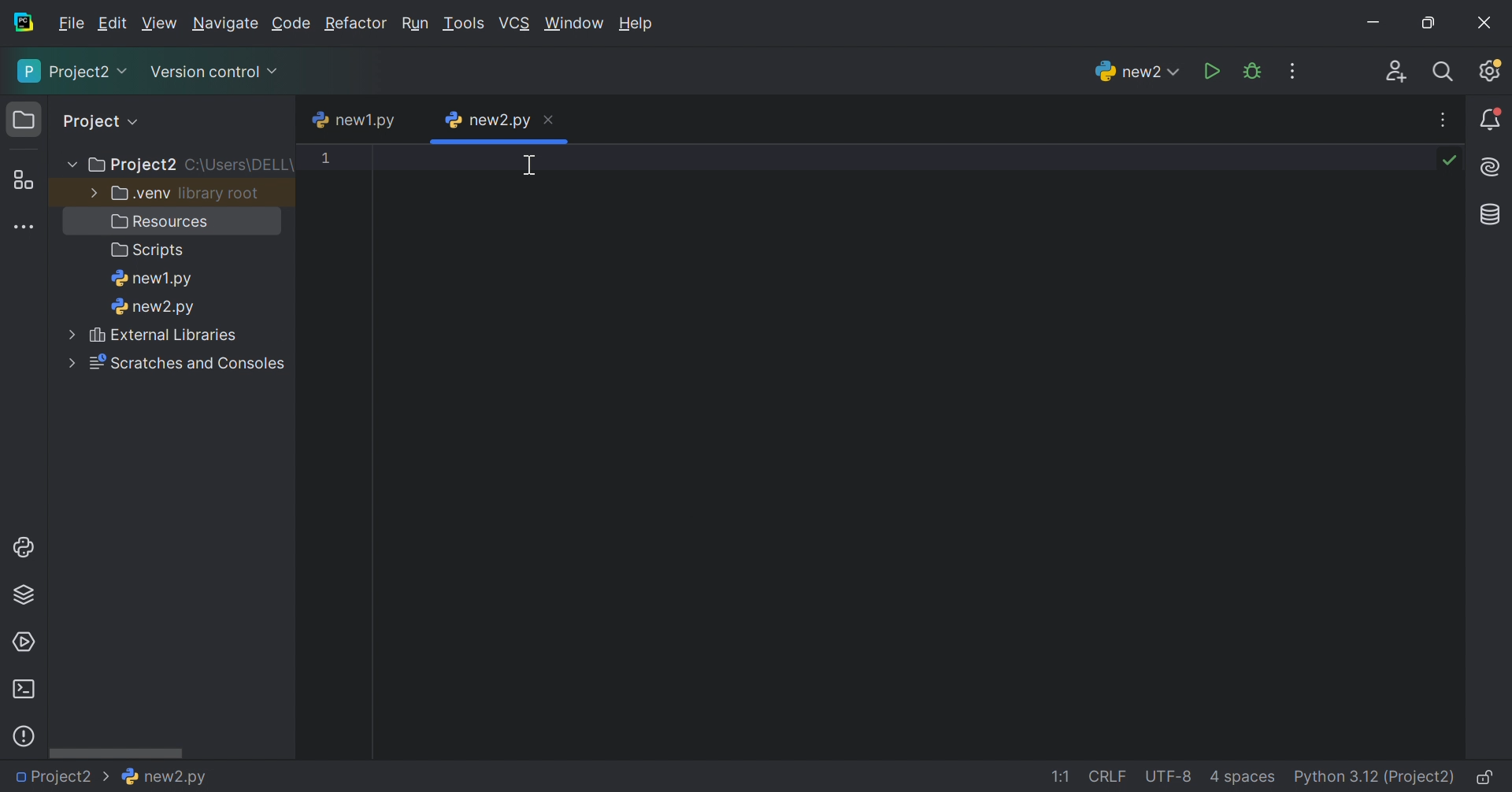  What do you see at coordinates (514, 23) in the screenshot?
I see `VCS` at bounding box center [514, 23].